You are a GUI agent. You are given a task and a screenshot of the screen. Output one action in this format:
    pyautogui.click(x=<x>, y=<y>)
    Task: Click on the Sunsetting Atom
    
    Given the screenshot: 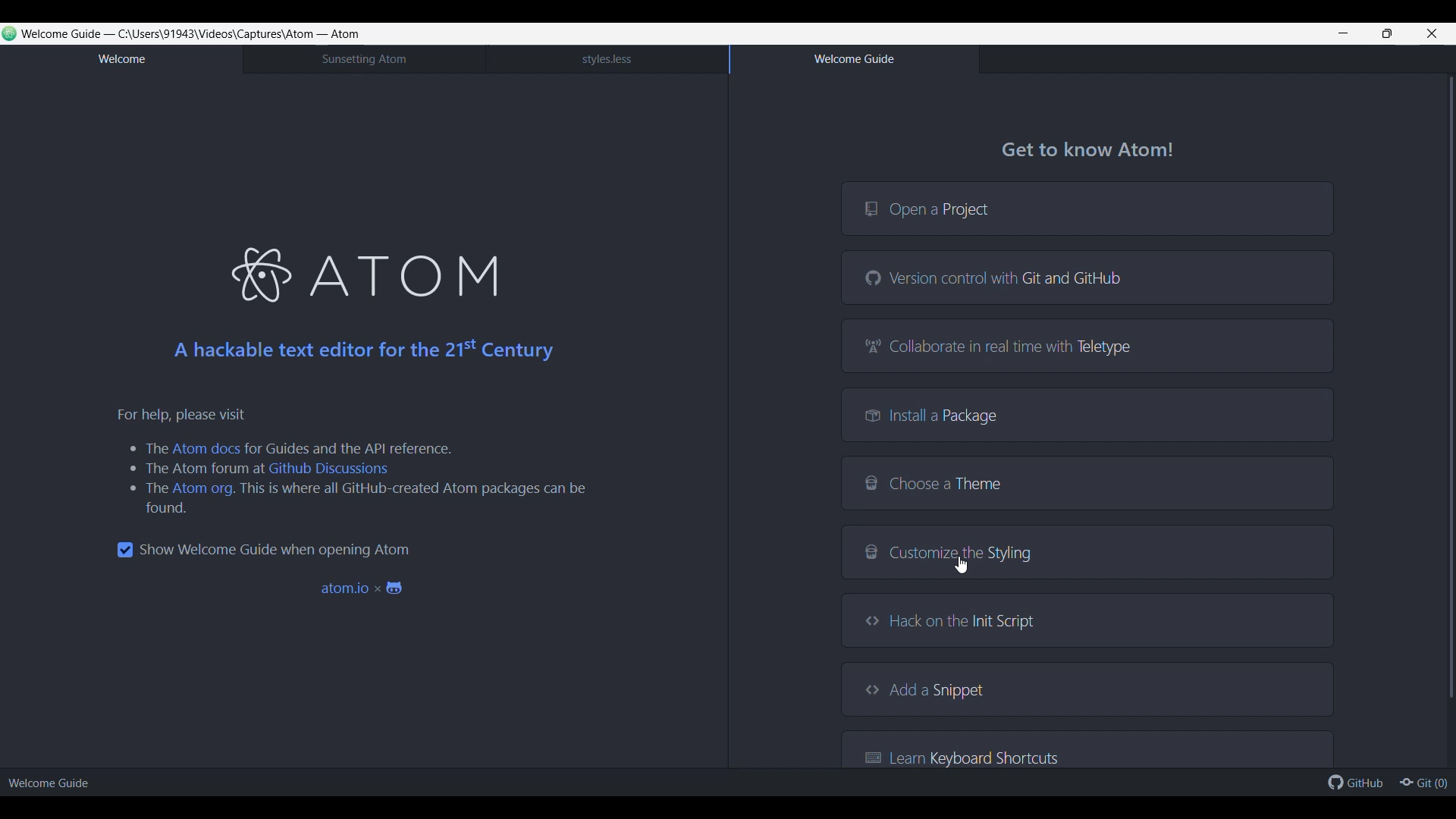 What is the action you would take?
    pyautogui.click(x=362, y=59)
    